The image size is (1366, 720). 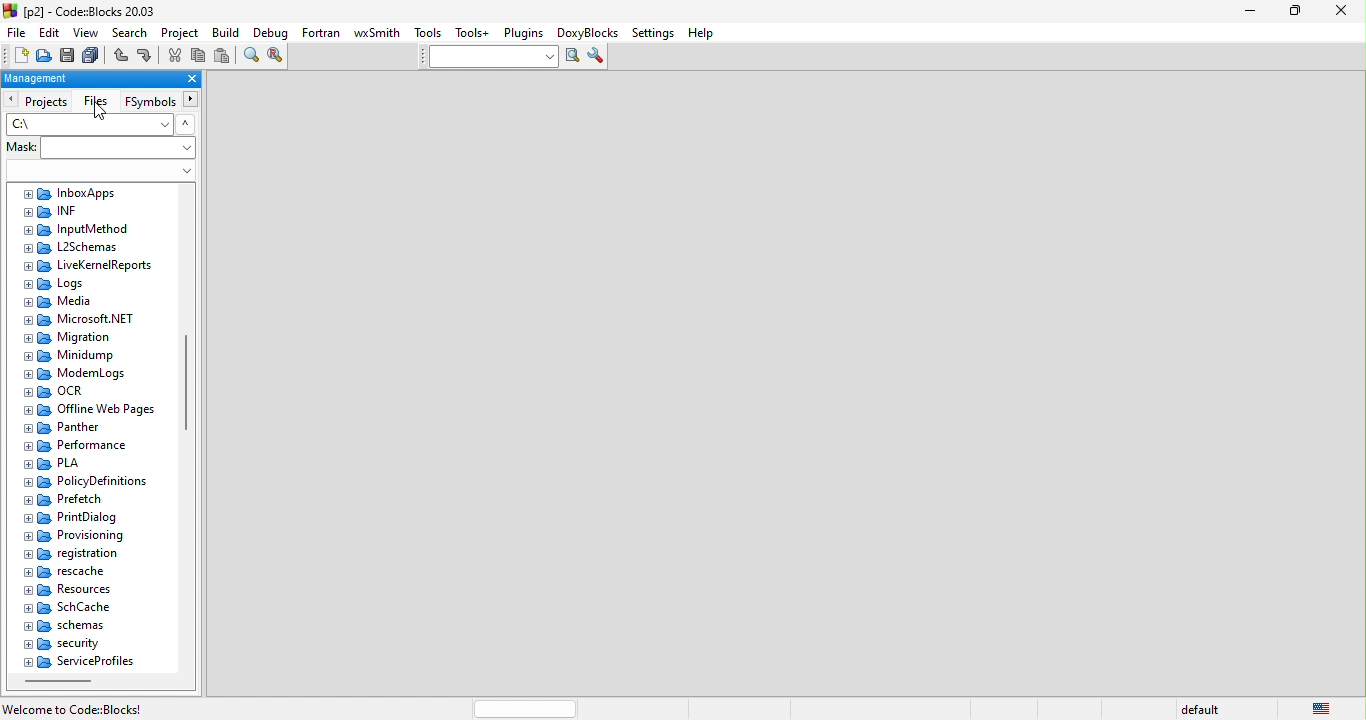 I want to click on horizontal scroll bar, so click(x=82, y=681).